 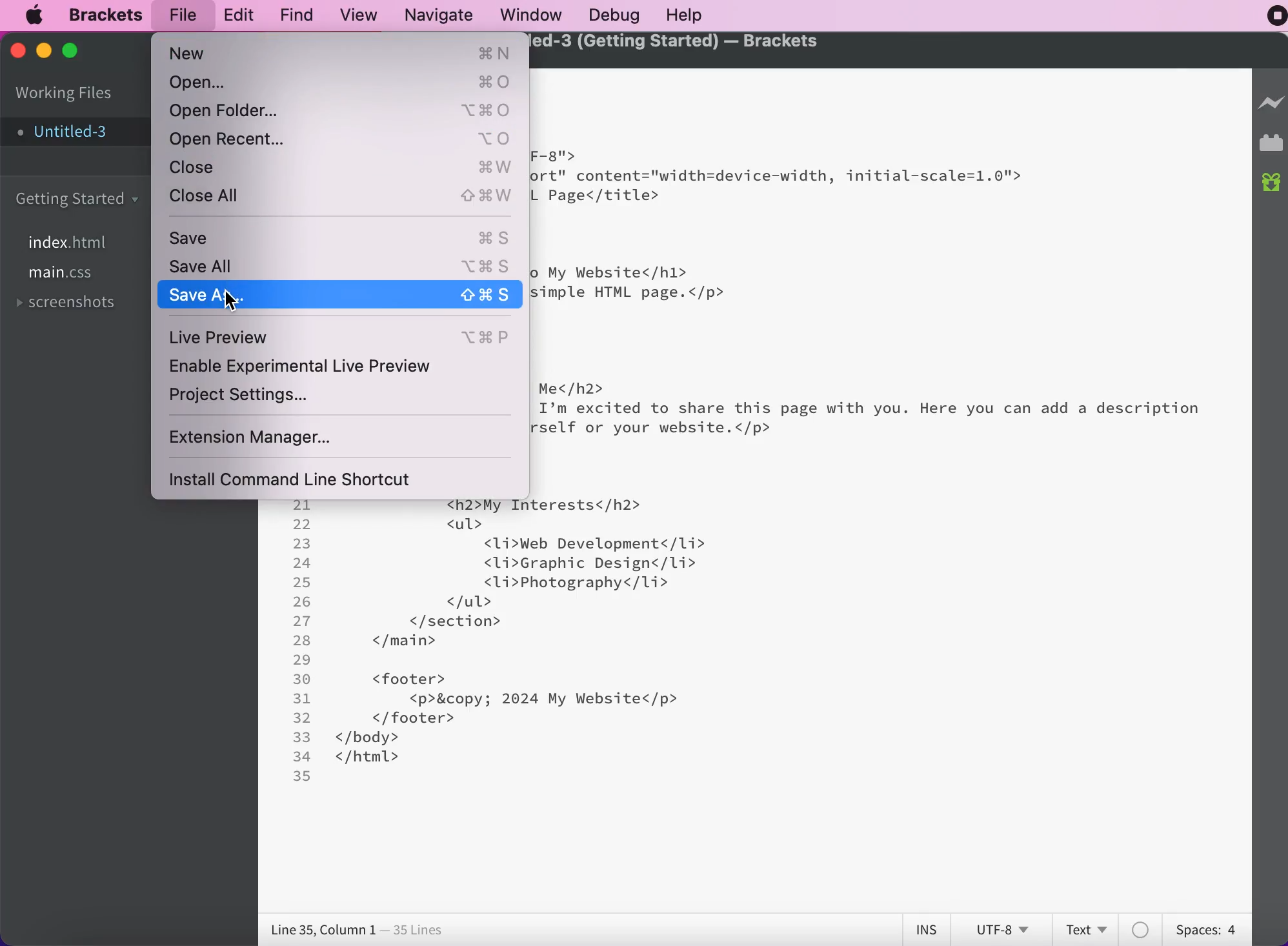 What do you see at coordinates (284, 436) in the screenshot?
I see `extension manager` at bounding box center [284, 436].